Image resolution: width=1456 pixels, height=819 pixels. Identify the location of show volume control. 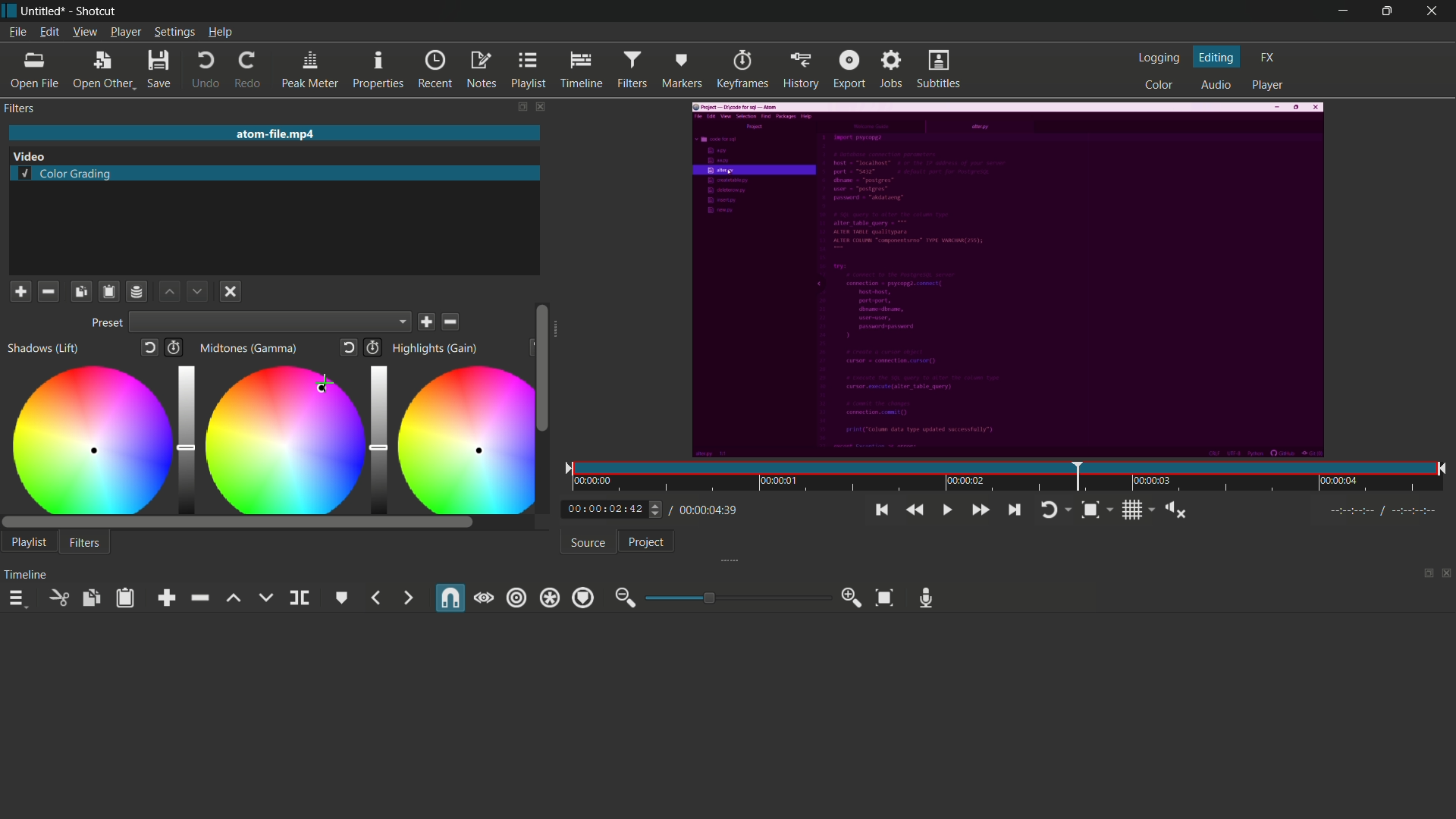
(1179, 511).